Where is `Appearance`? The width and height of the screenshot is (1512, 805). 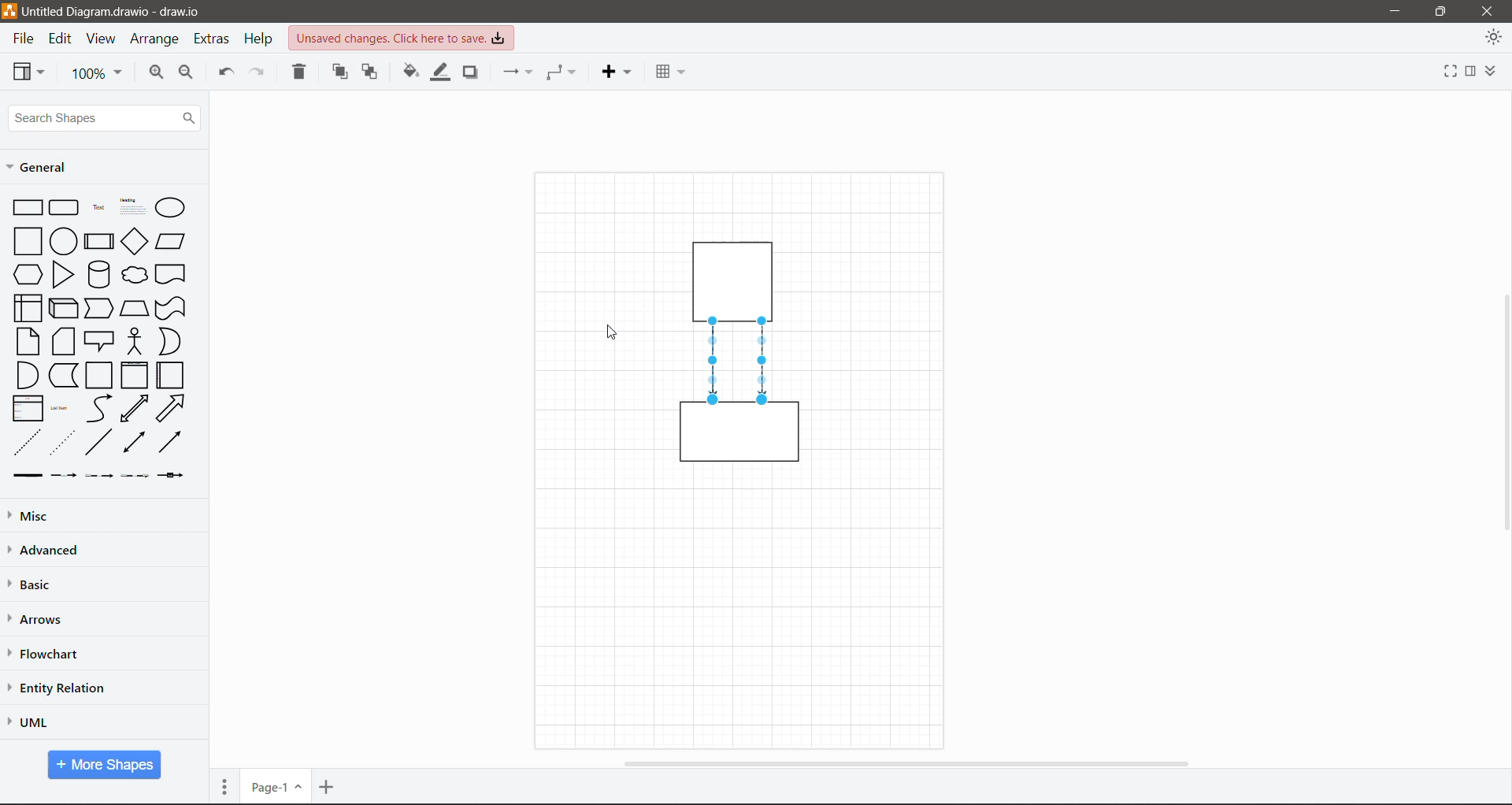
Appearance is located at coordinates (1493, 39).